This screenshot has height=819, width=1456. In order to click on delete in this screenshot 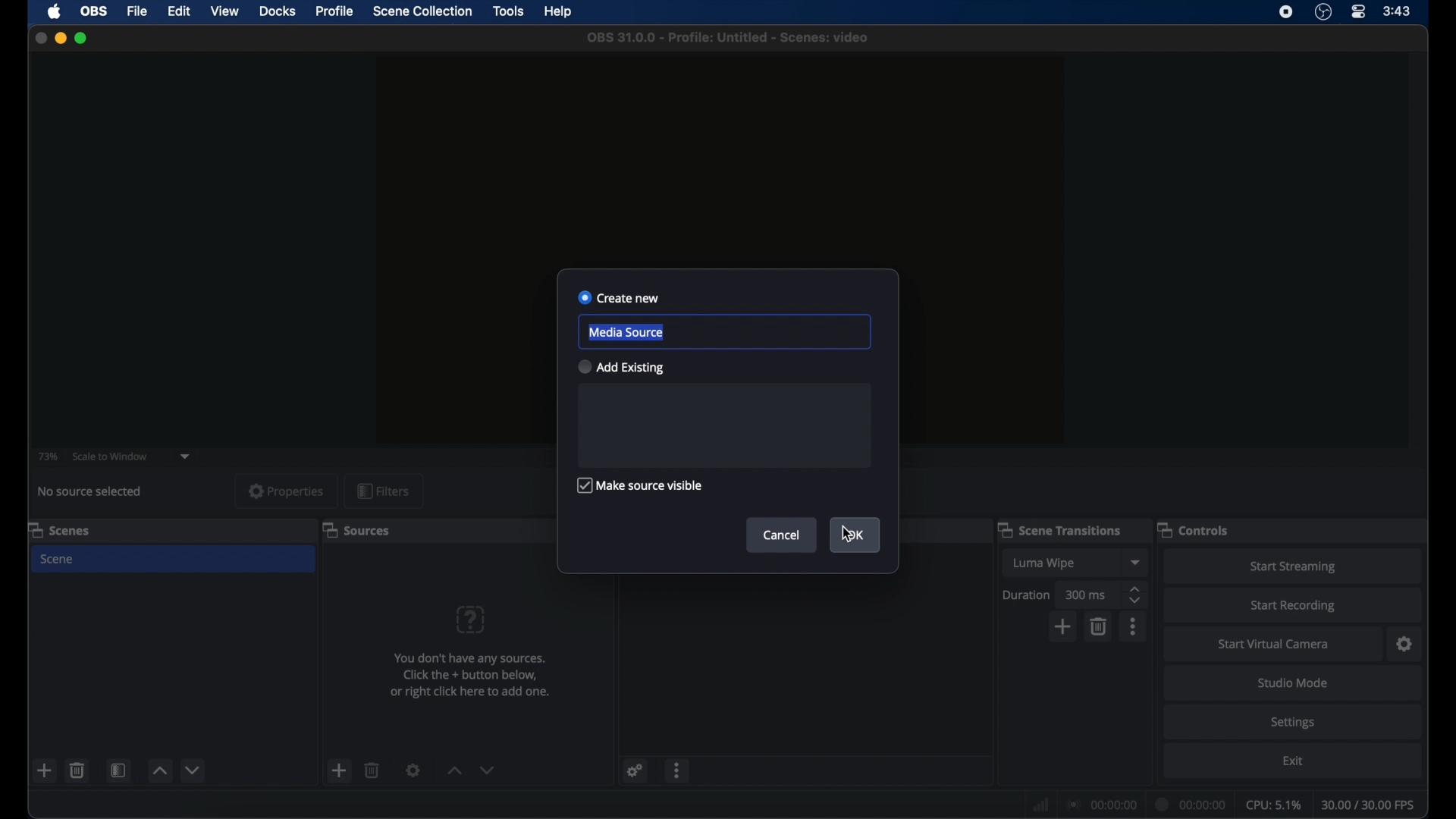, I will do `click(1100, 627)`.